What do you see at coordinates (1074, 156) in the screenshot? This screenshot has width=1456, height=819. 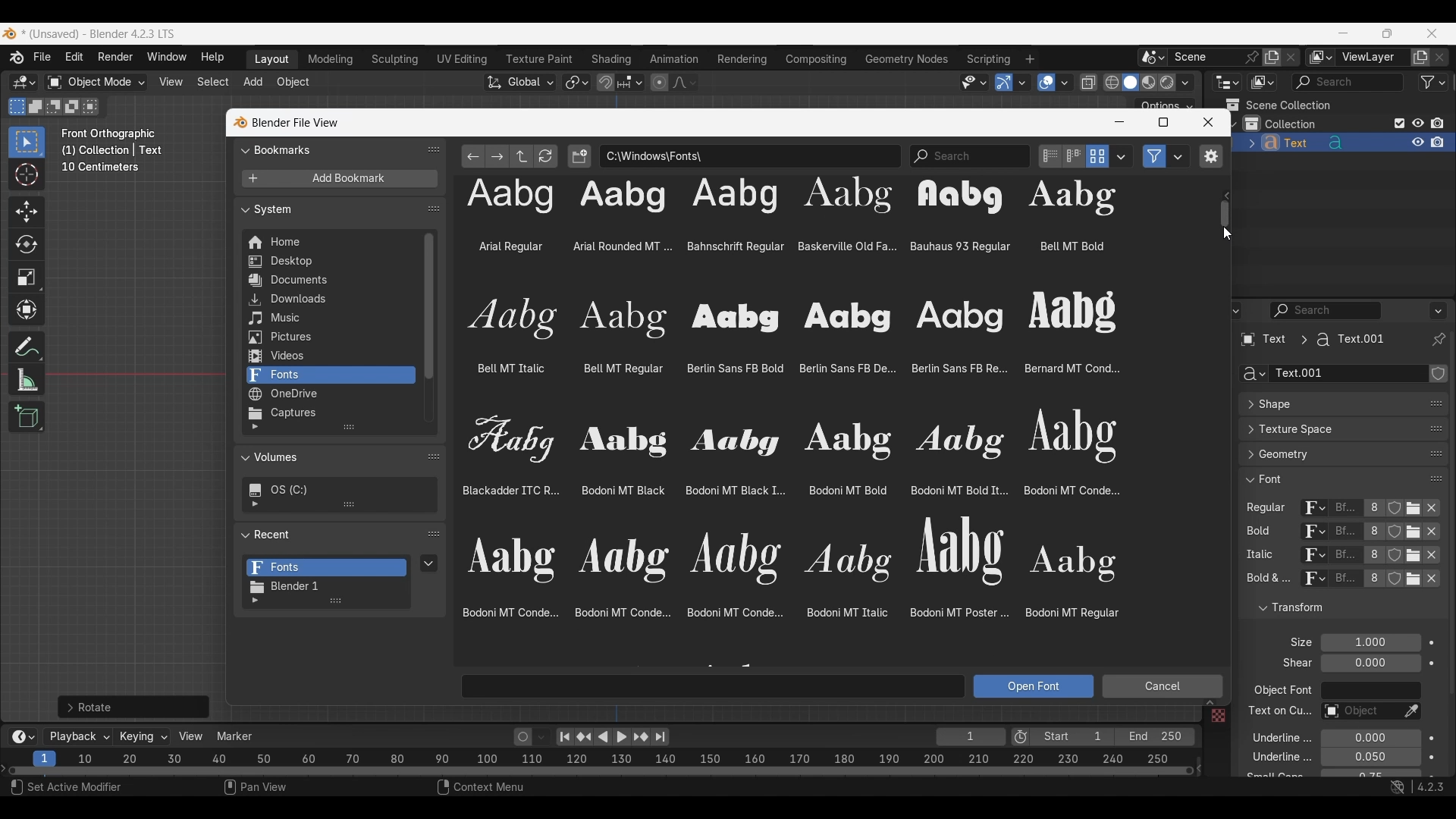 I see `Display settings, horizontal list` at bounding box center [1074, 156].